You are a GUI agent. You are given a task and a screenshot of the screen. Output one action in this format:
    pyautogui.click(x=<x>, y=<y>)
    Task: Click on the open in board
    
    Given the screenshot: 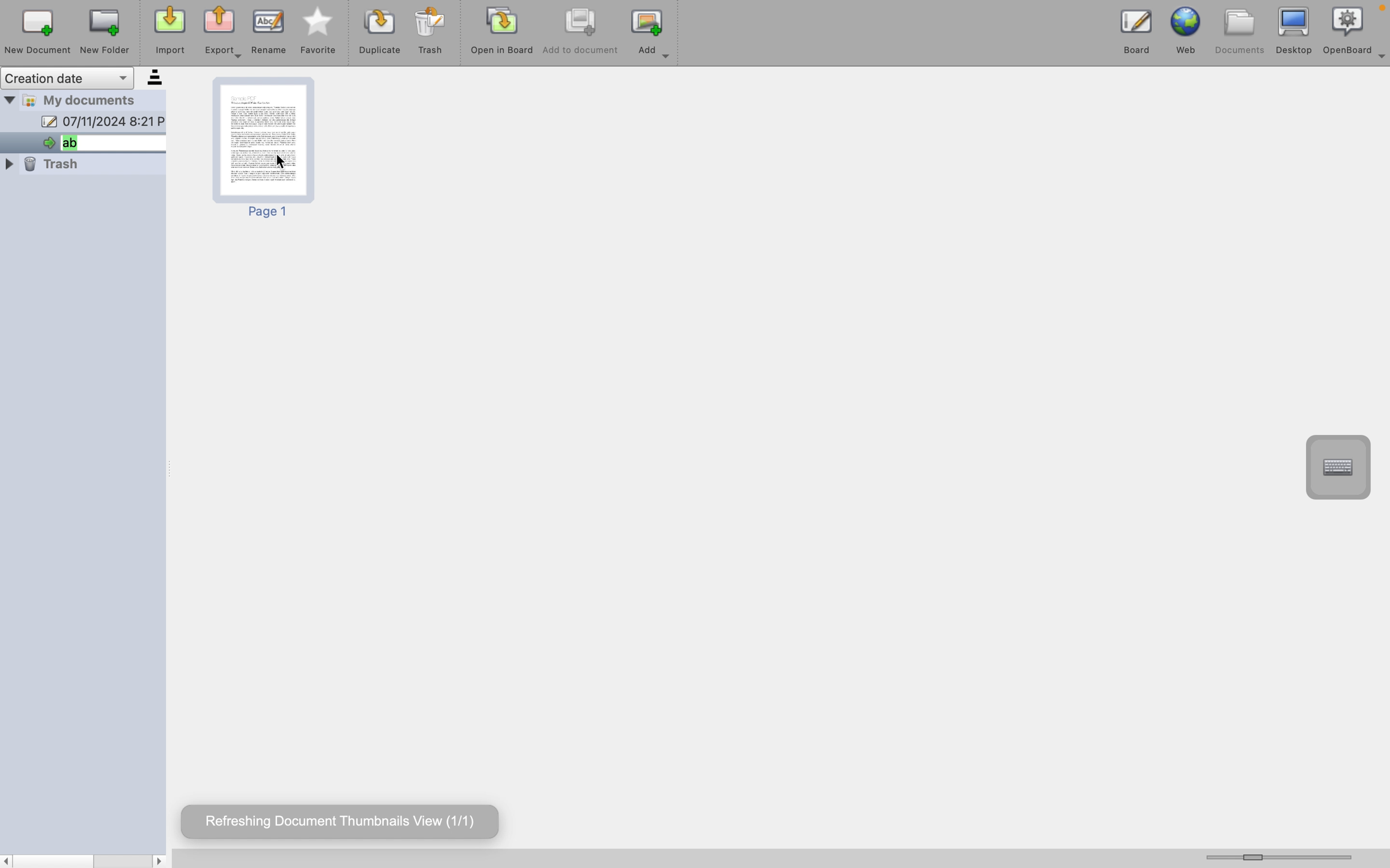 What is the action you would take?
    pyautogui.click(x=503, y=35)
    